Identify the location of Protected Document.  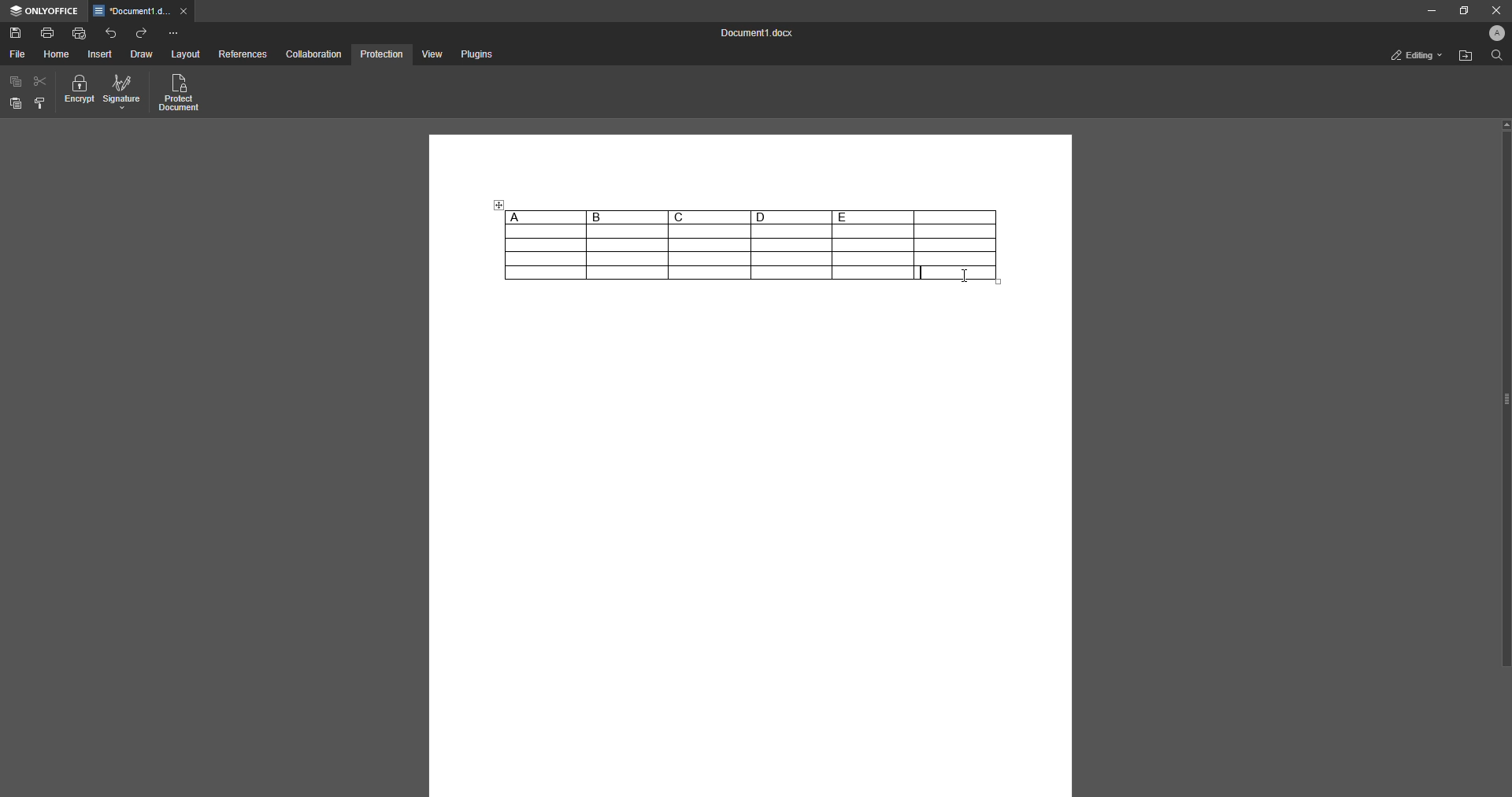
(180, 94).